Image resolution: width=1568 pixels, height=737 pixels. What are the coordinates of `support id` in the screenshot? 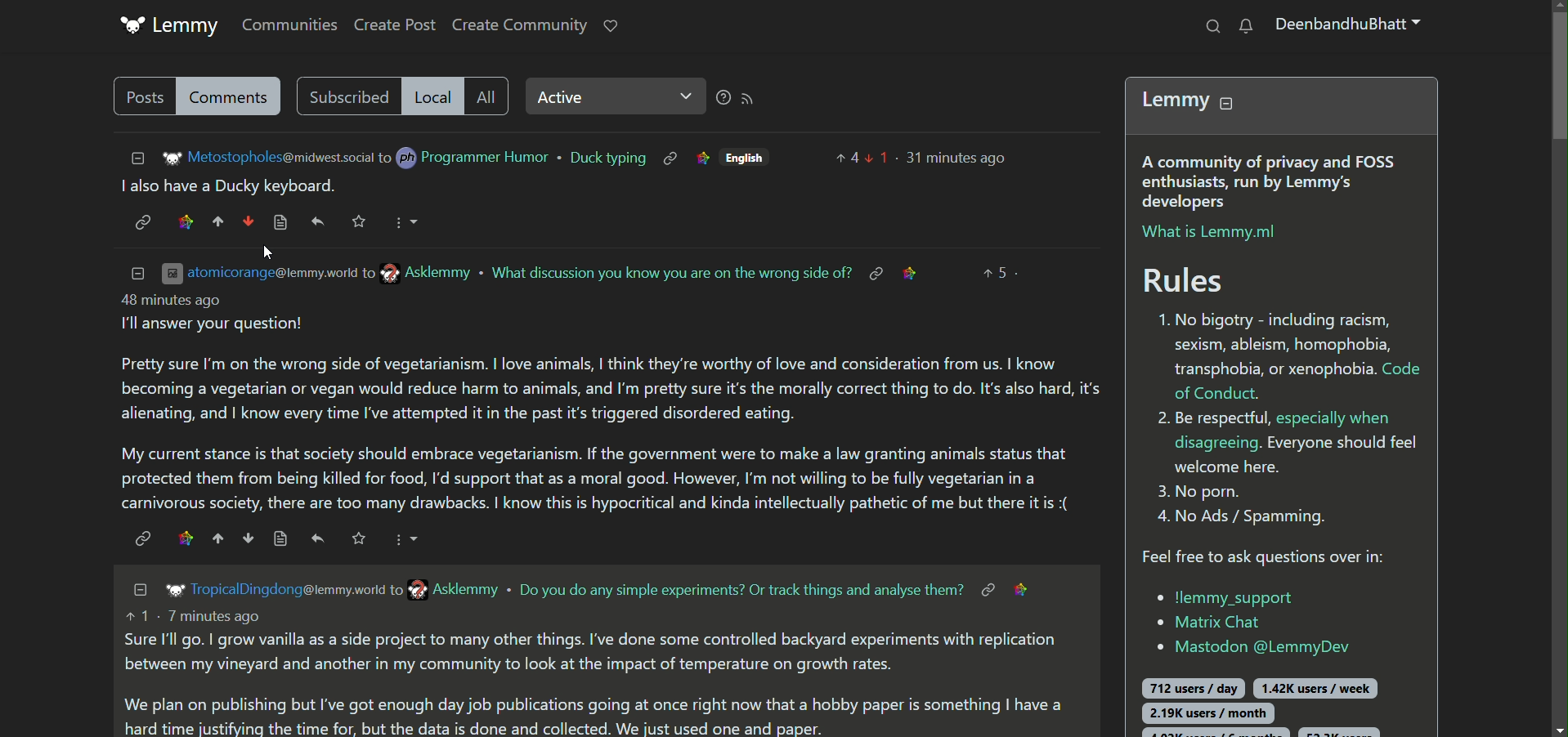 It's located at (1247, 647).